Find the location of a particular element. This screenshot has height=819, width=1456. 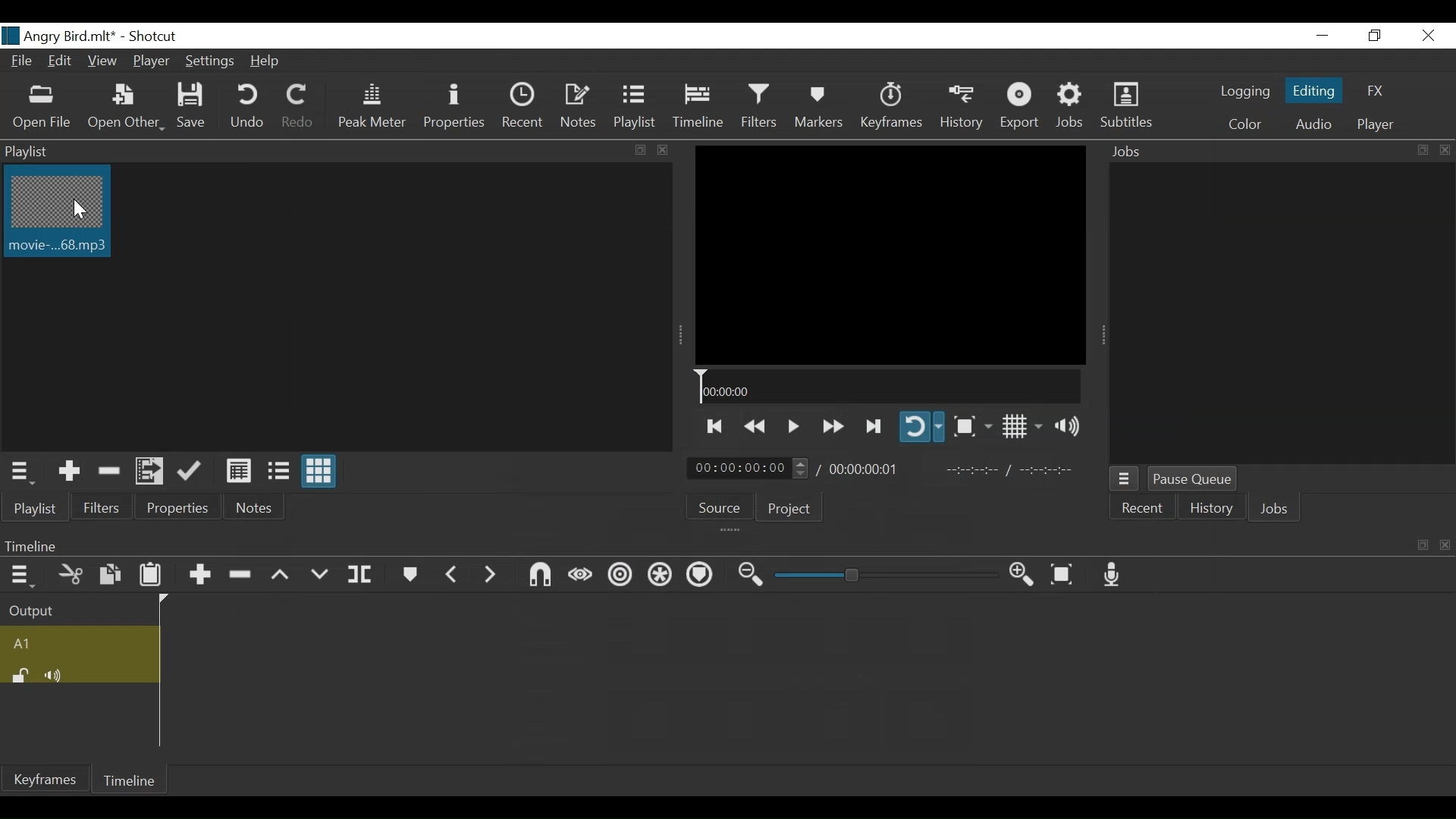

Timeline is located at coordinates (698, 106).